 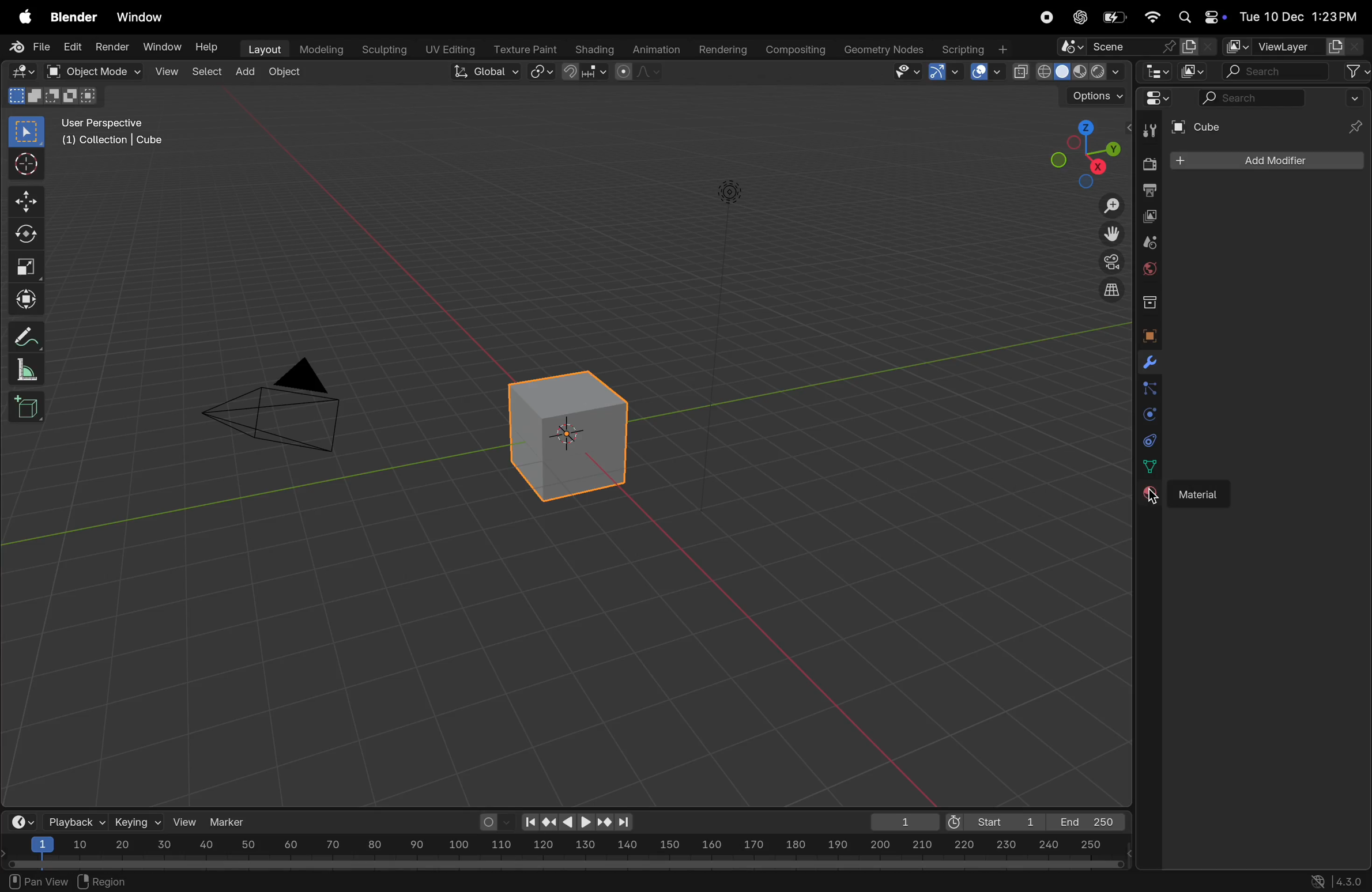 I want to click on output, so click(x=1149, y=190).